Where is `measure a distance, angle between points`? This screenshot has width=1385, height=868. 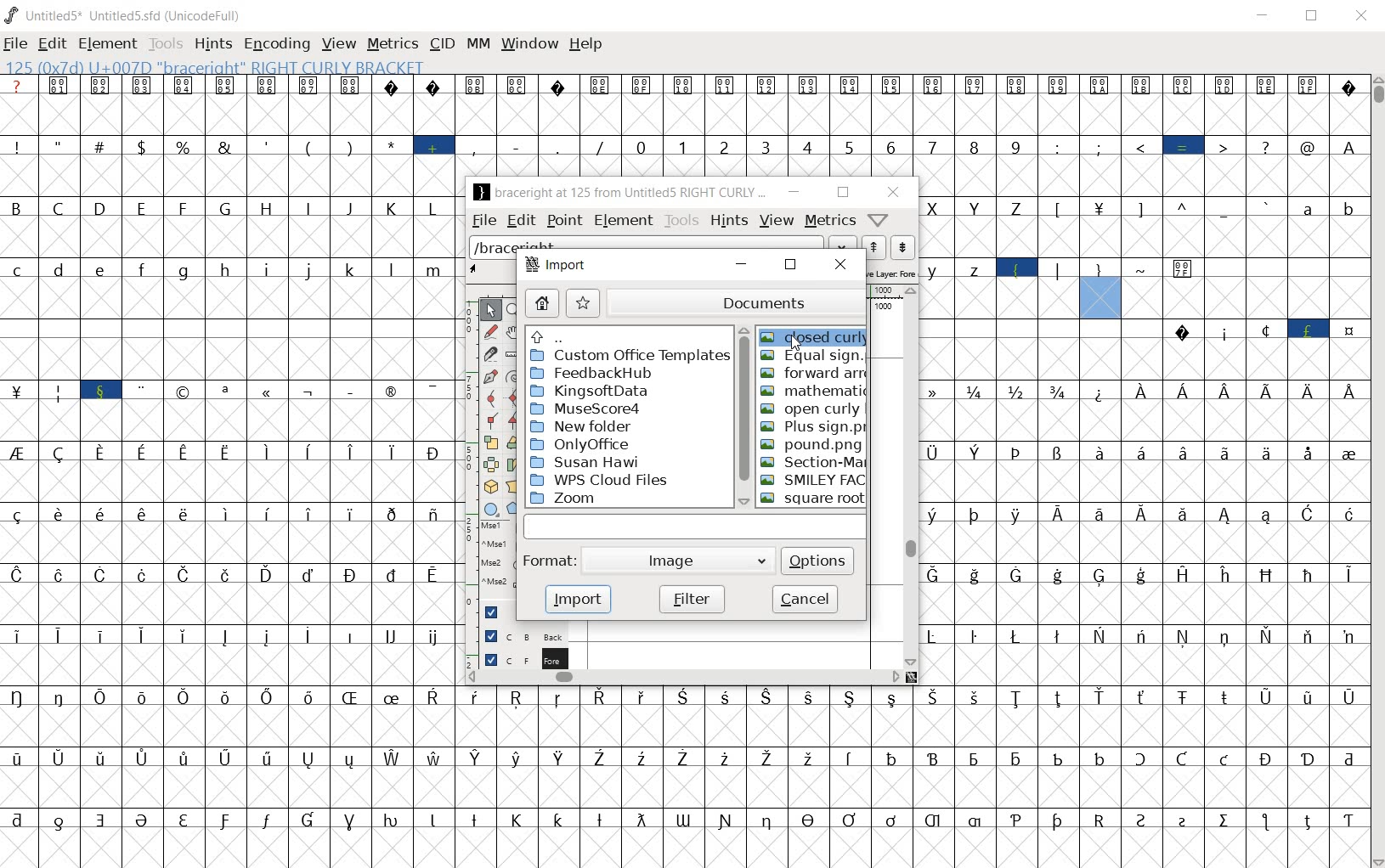
measure a distance, angle between points is located at coordinates (514, 355).